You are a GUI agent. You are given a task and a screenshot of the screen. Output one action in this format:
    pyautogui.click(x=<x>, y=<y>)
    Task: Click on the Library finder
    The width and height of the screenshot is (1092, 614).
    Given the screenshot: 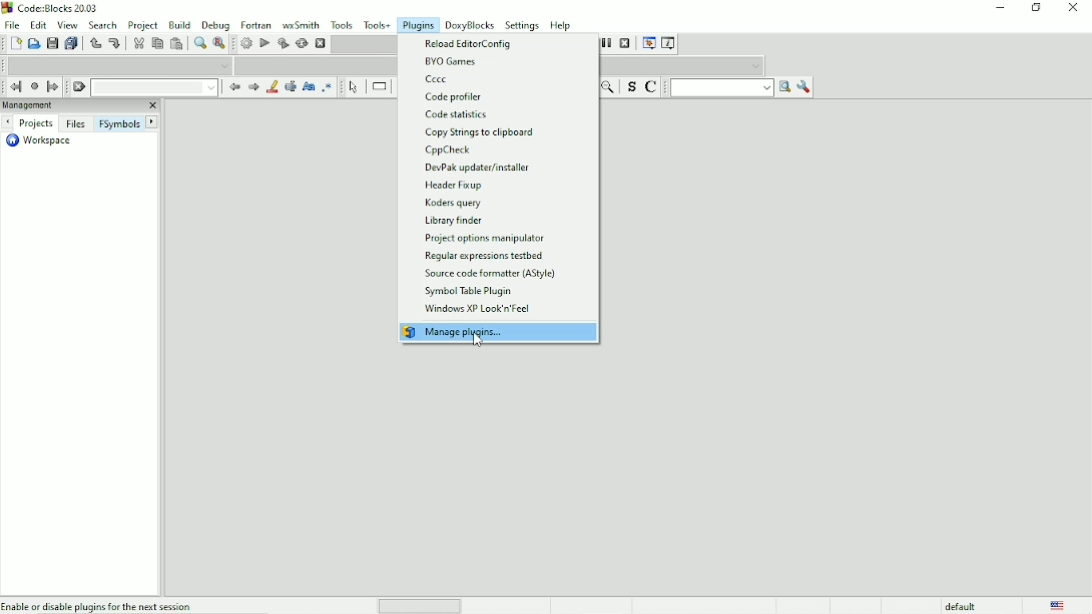 What is the action you would take?
    pyautogui.click(x=452, y=221)
    